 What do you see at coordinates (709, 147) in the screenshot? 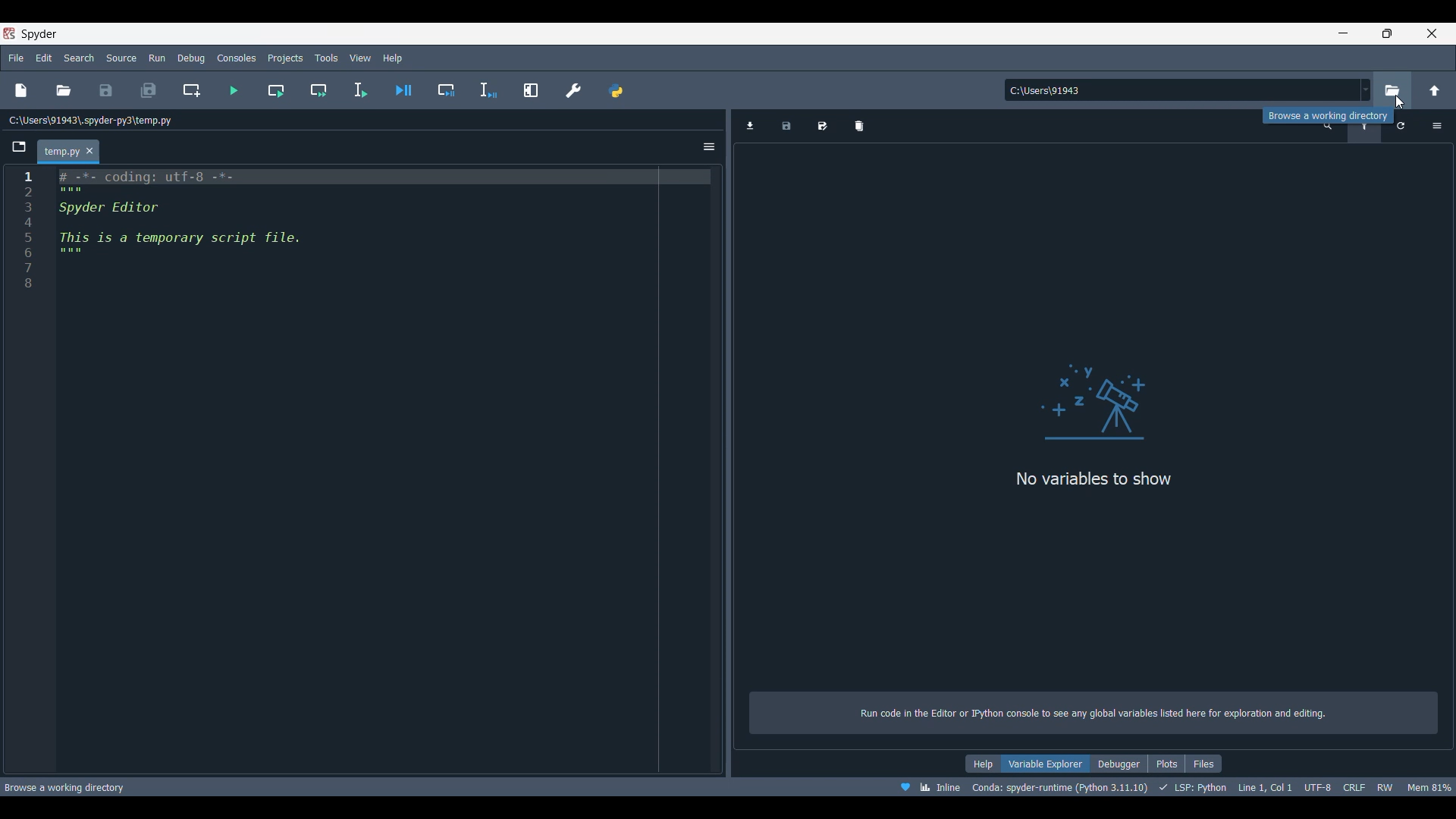
I see `Options` at bounding box center [709, 147].